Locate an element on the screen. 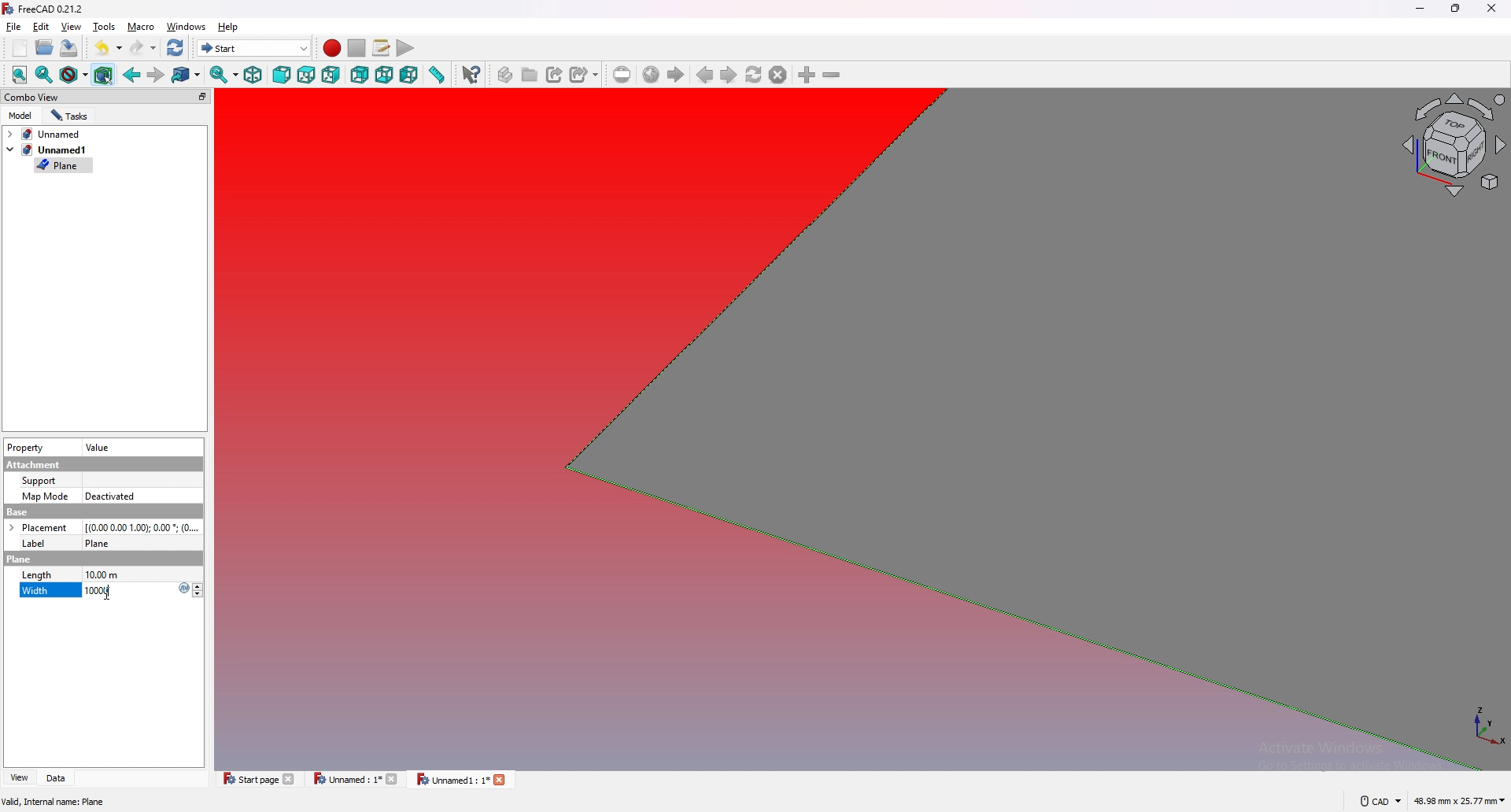  undo is located at coordinates (109, 46).